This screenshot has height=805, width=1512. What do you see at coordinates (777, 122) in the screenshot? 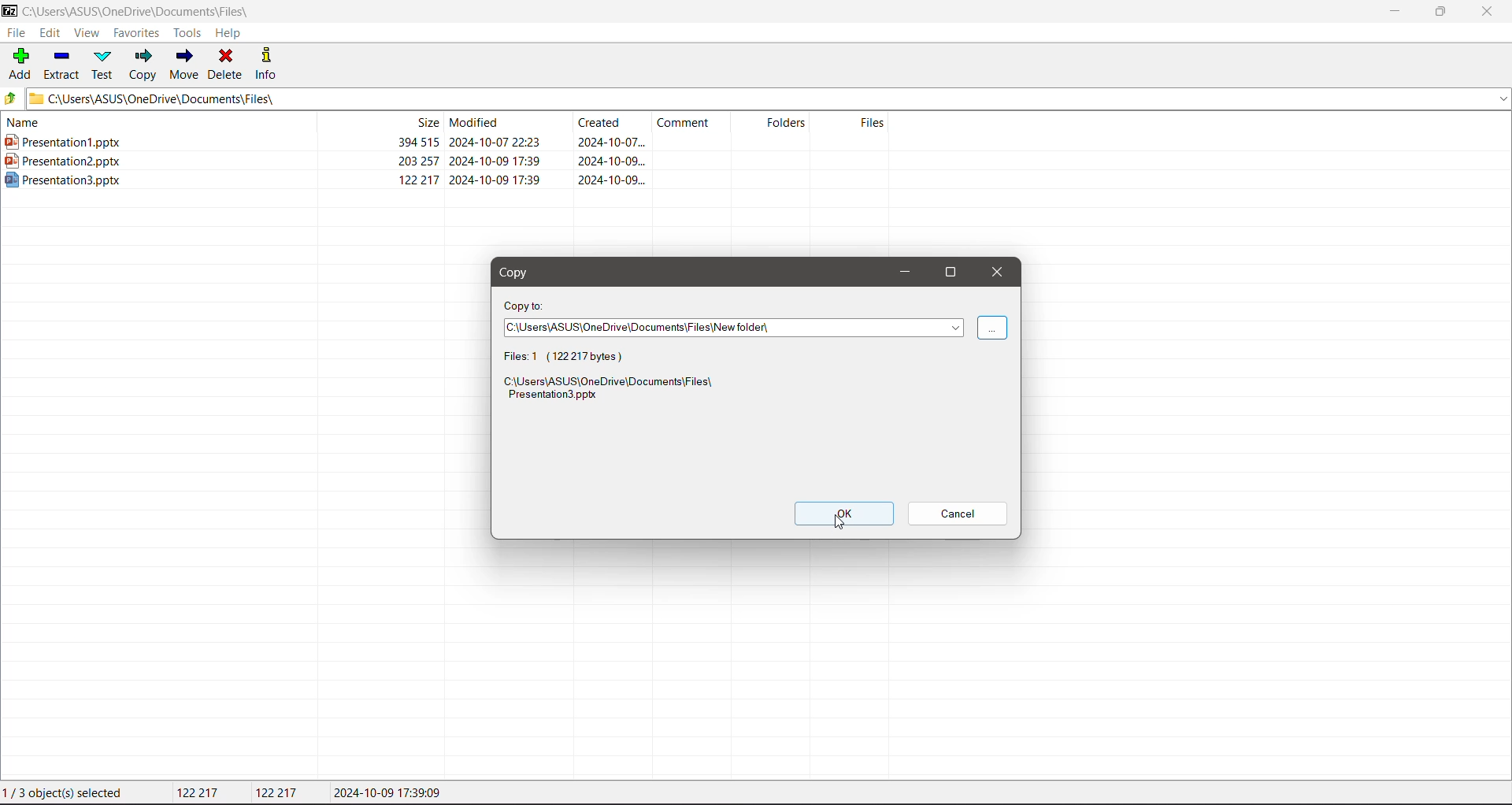
I see `Folders` at bounding box center [777, 122].